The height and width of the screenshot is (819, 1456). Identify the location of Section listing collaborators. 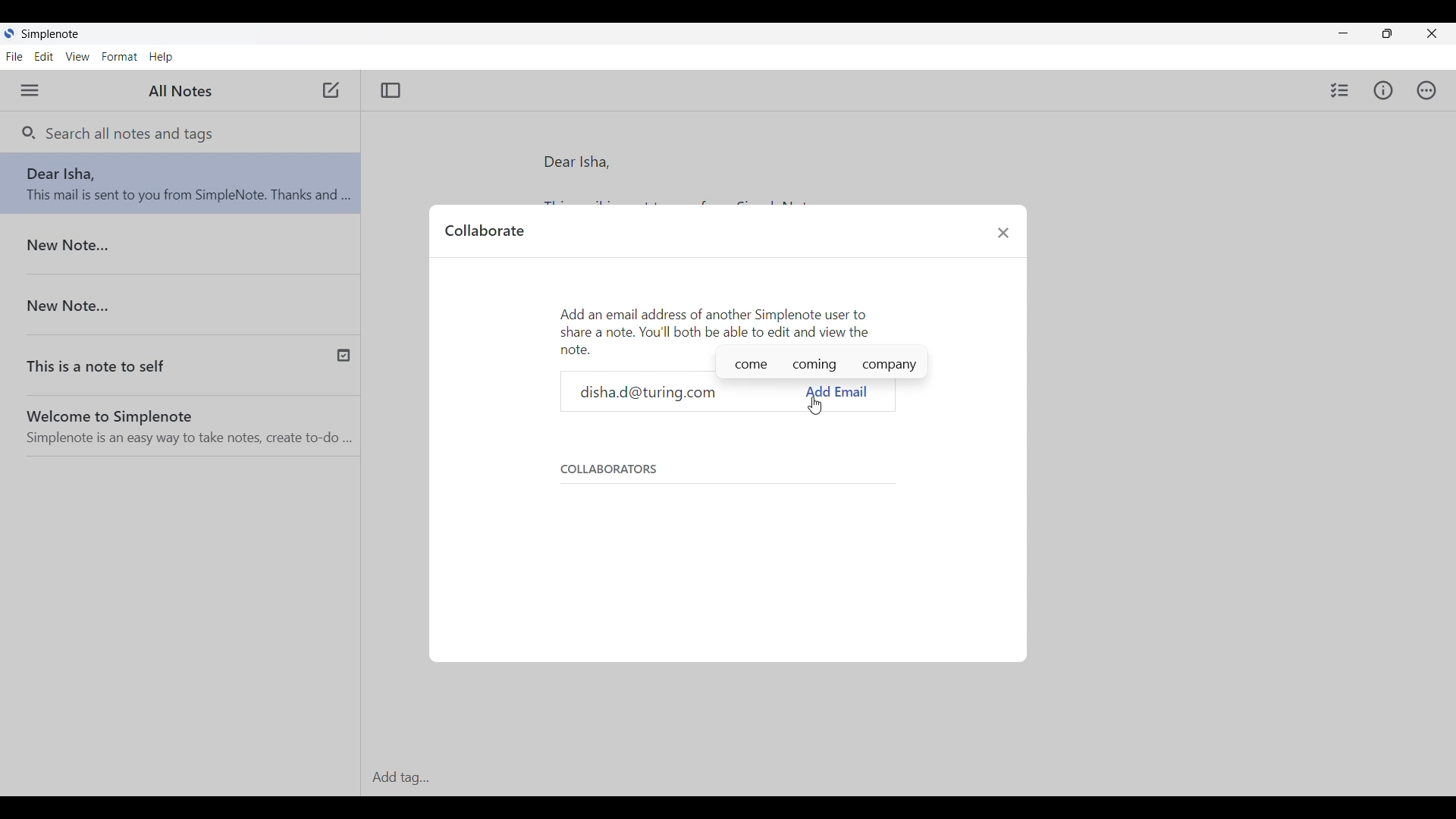
(721, 523).